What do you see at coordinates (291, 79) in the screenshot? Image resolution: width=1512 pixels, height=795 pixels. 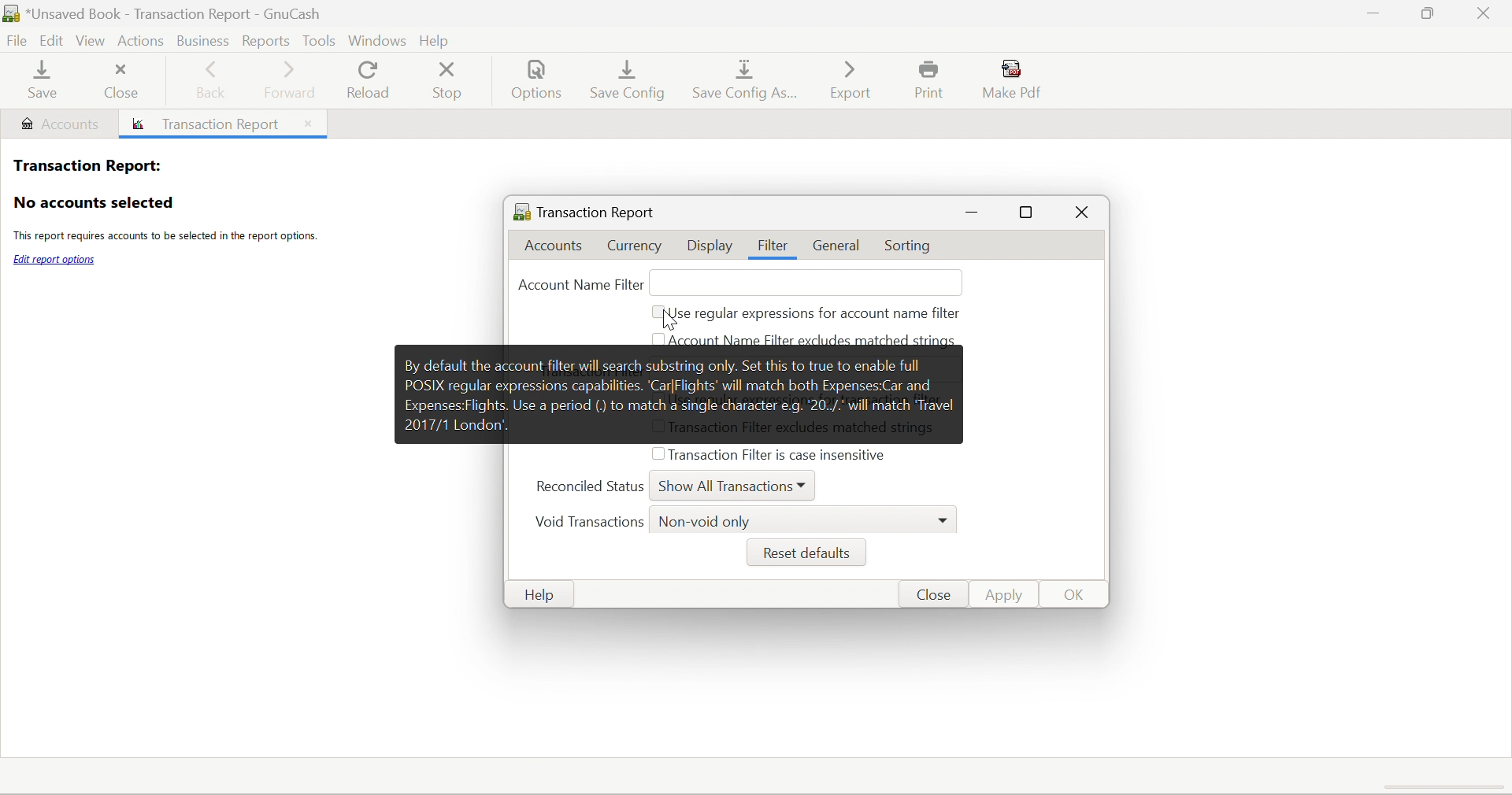 I see `Forward` at bounding box center [291, 79].